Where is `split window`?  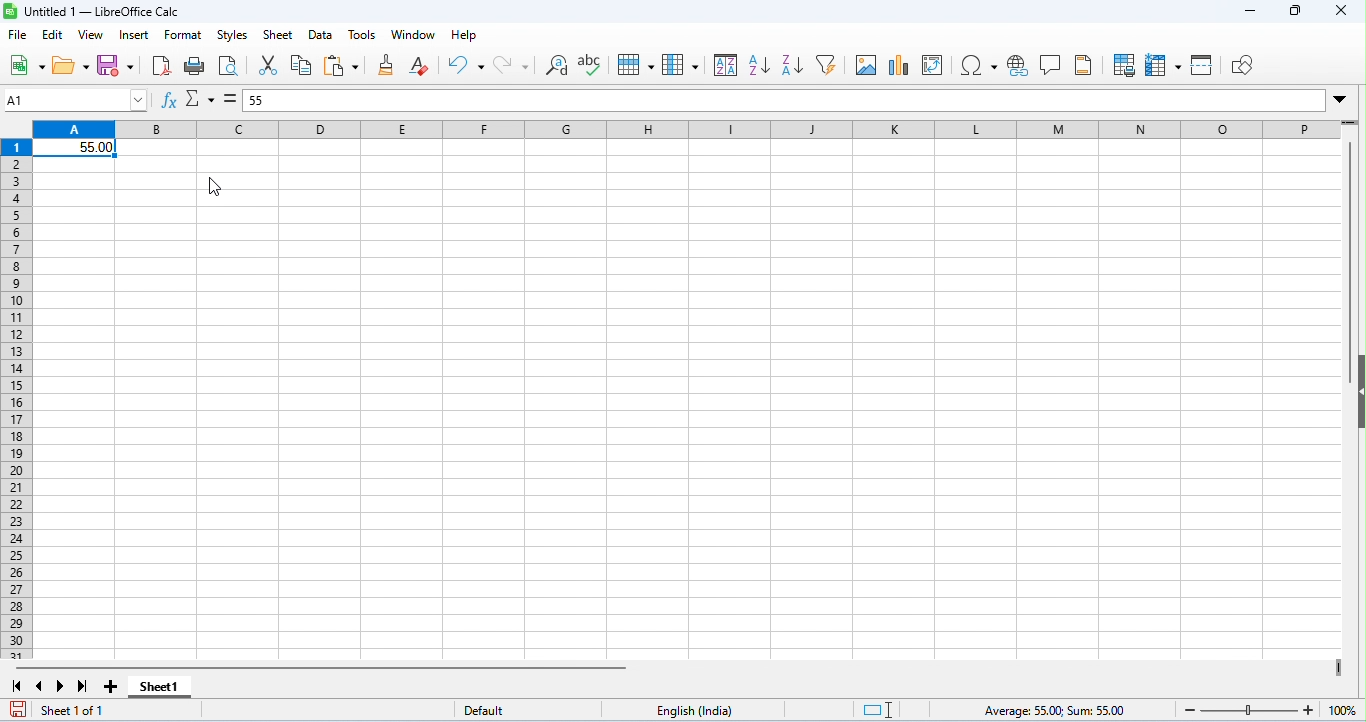 split window is located at coordinates (1202, 65).